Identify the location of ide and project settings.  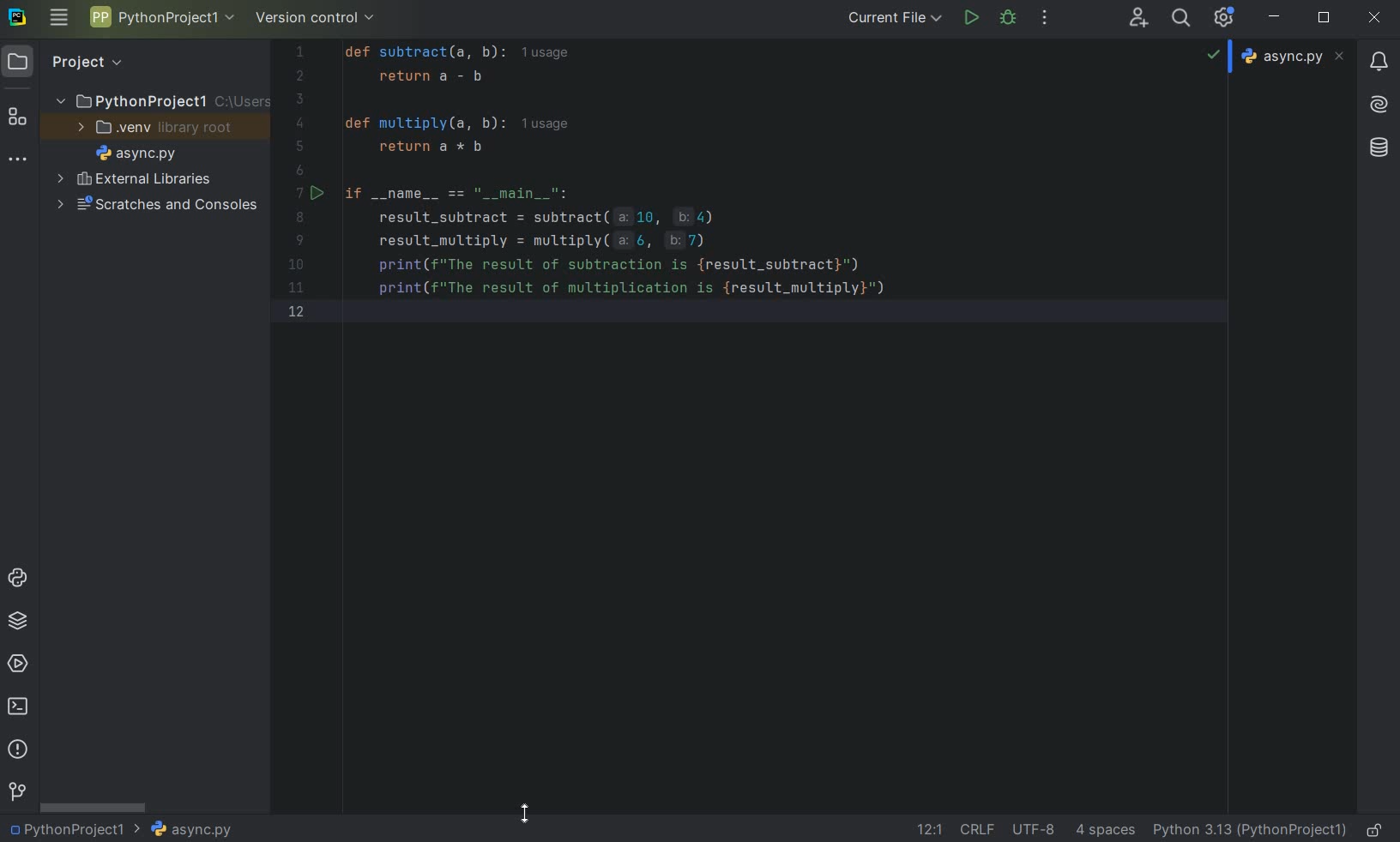
(1224, 18).